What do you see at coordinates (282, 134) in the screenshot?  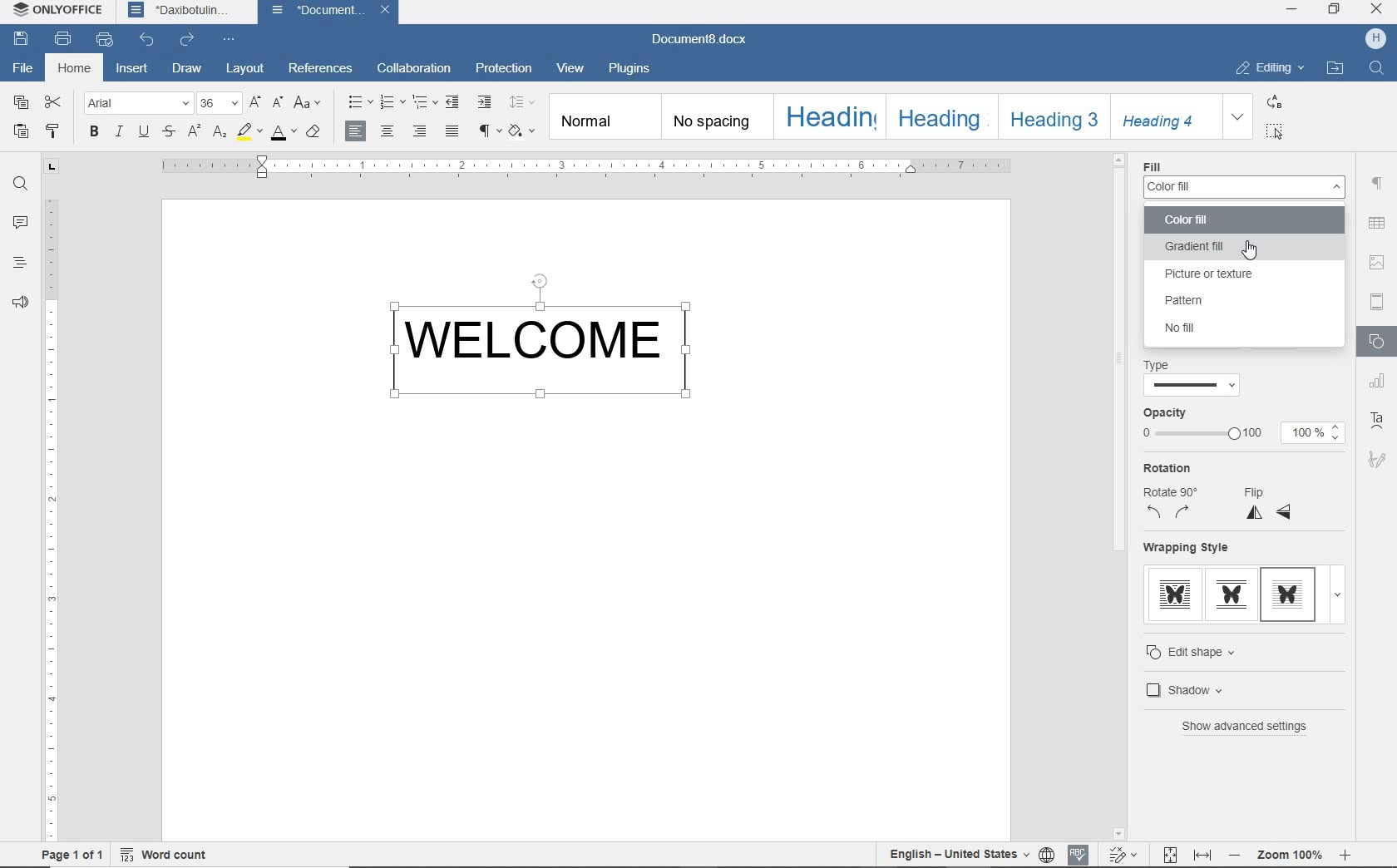 I see `FONT COLOR` at bounding box center [282, 134].